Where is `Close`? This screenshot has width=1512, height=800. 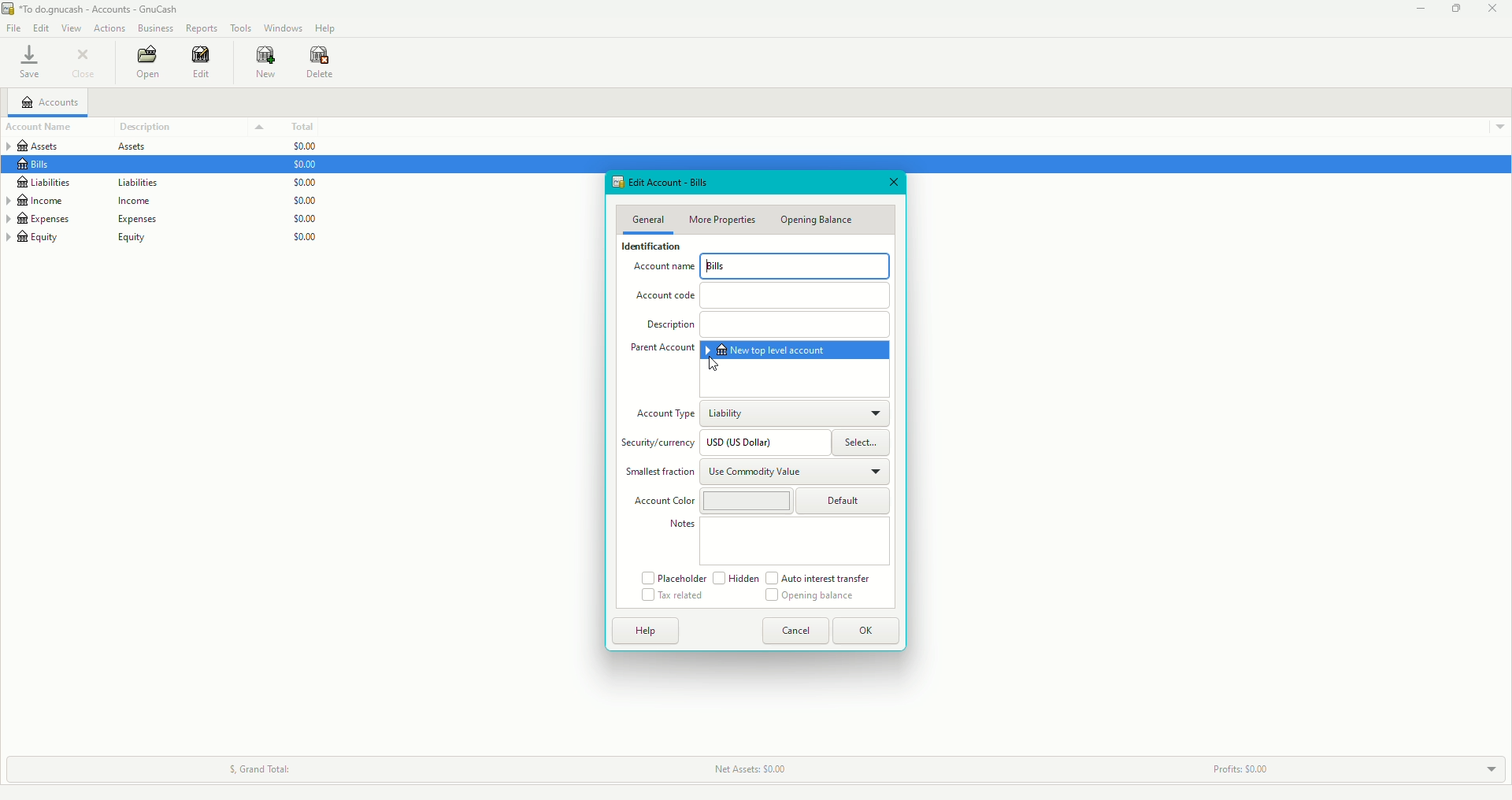
Close is located at coordinates (1495, 9).